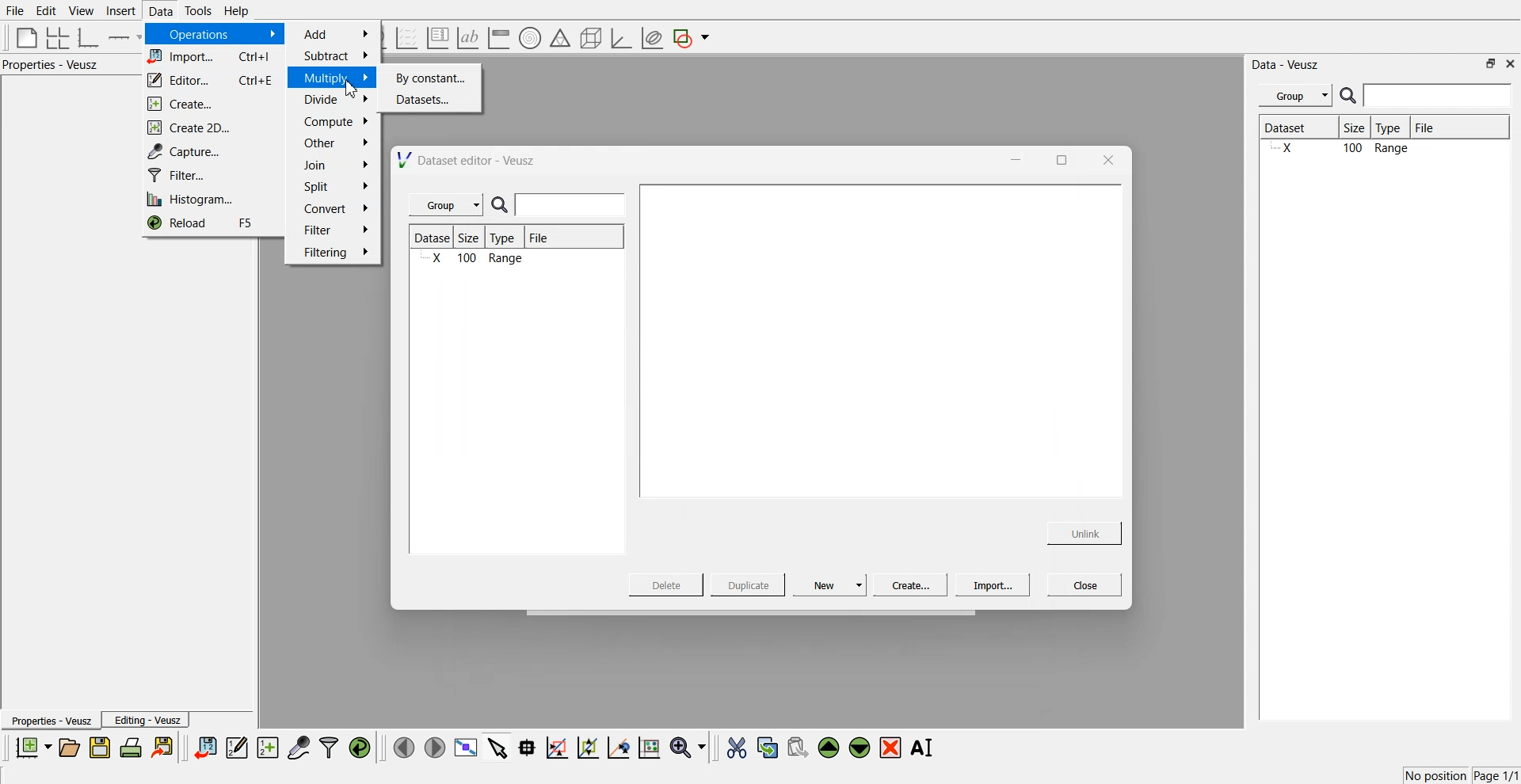 The image size is (1521, 784). Describe the element at coordinates (1393, 128) in the screenshot. I see `Type` at that location.